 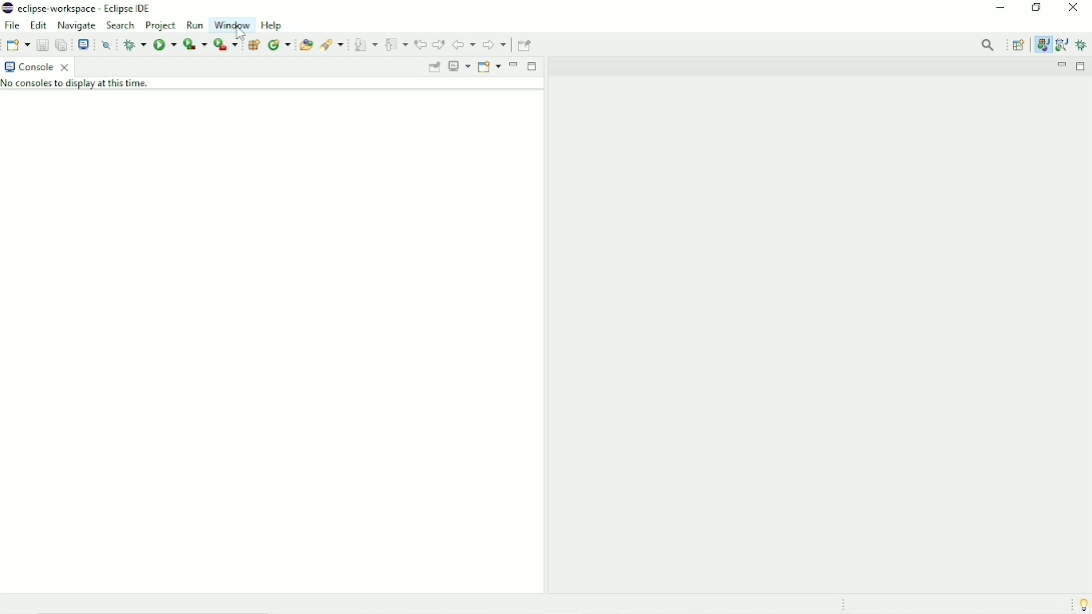 I want to click on Close, so click(x=1074, y=11).